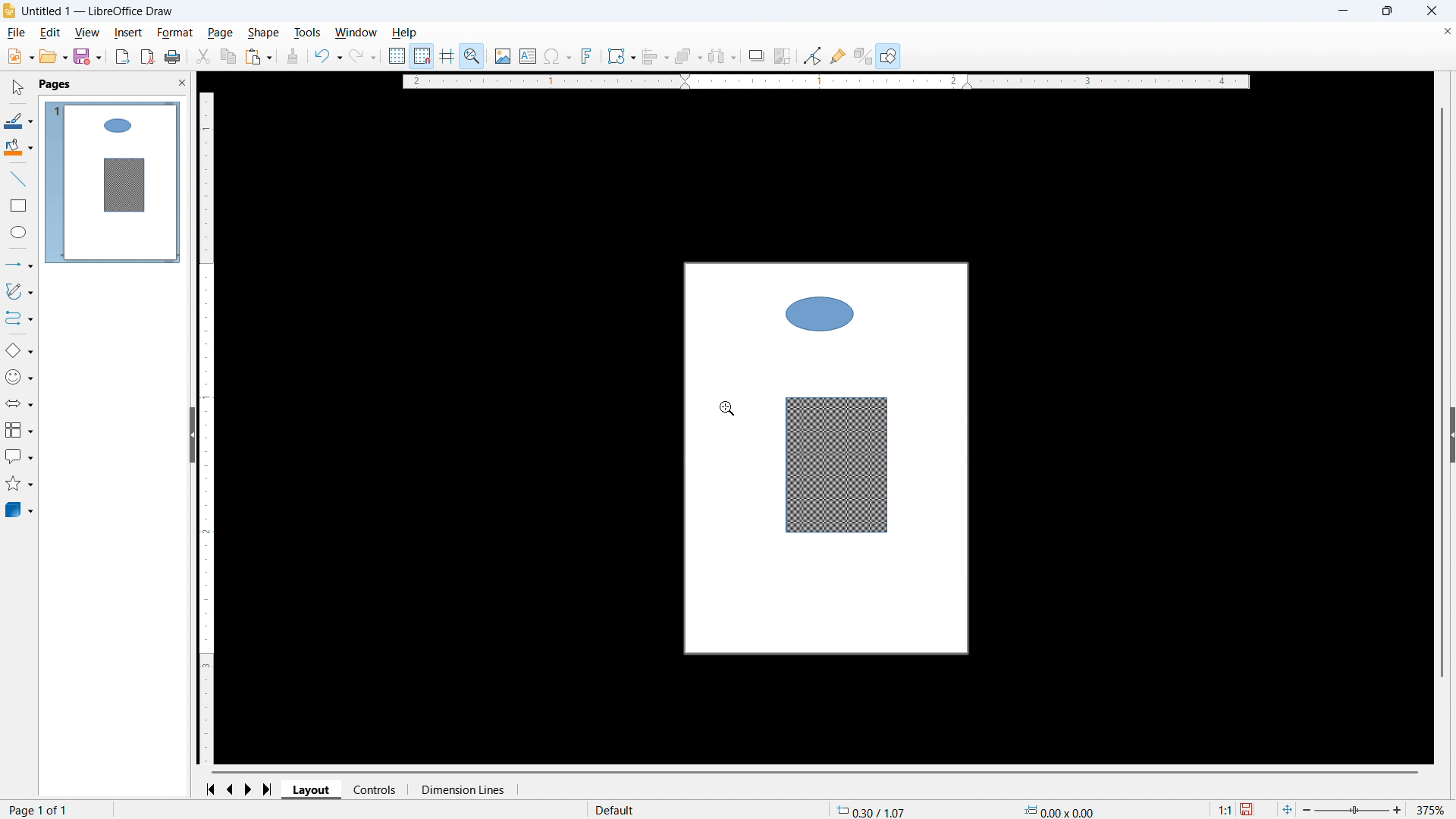 This screenshot has width=1456, height=819. I want to click on Lines and arrows , so click(20, 264).